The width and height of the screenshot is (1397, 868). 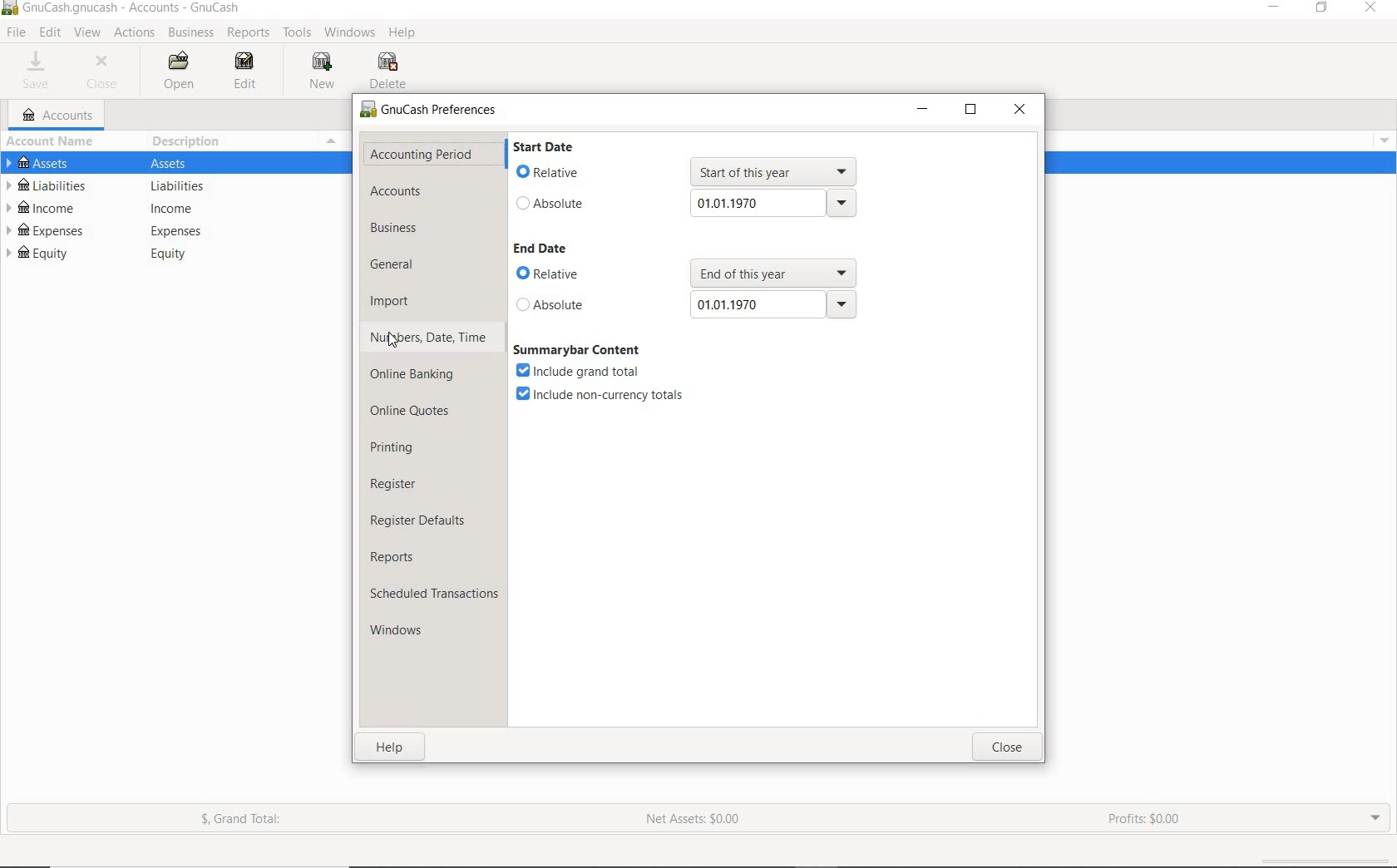 I want to click on start date, so click(x=560, y=149).